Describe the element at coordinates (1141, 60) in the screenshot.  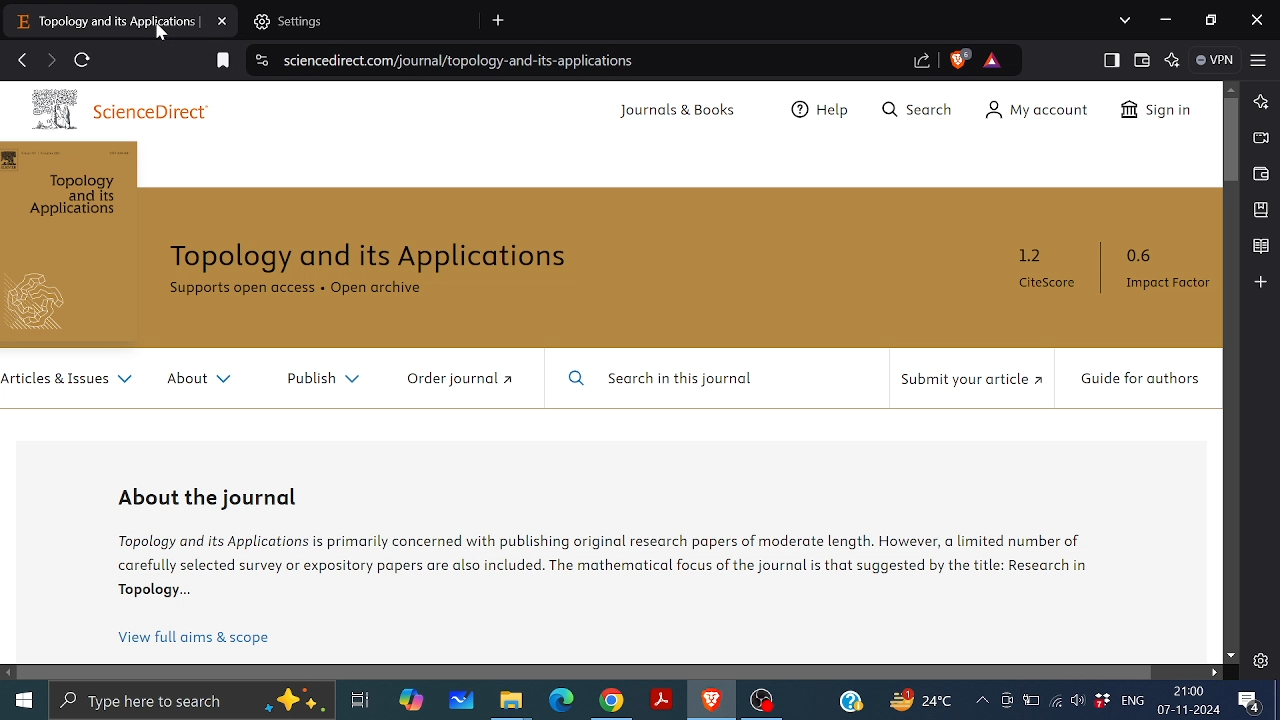
I see `Wallet` at that location.